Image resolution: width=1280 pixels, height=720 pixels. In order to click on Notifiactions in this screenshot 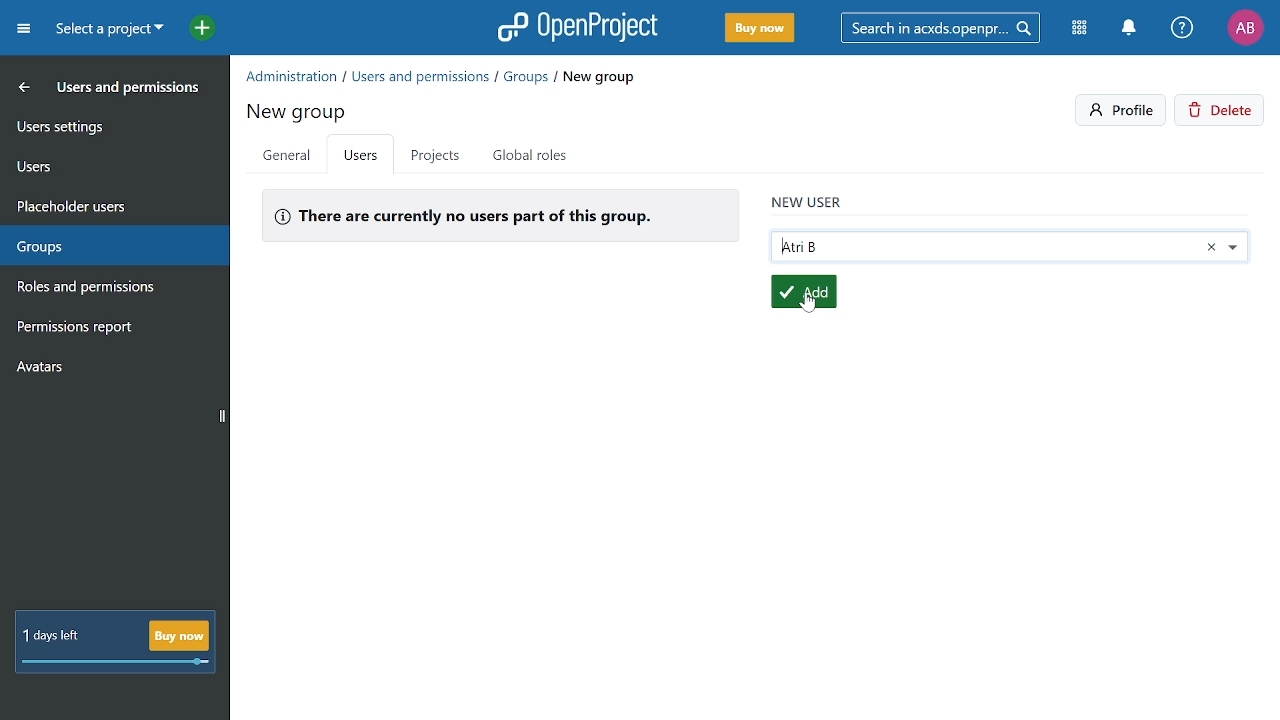, I will do `click(1134, 29)`.